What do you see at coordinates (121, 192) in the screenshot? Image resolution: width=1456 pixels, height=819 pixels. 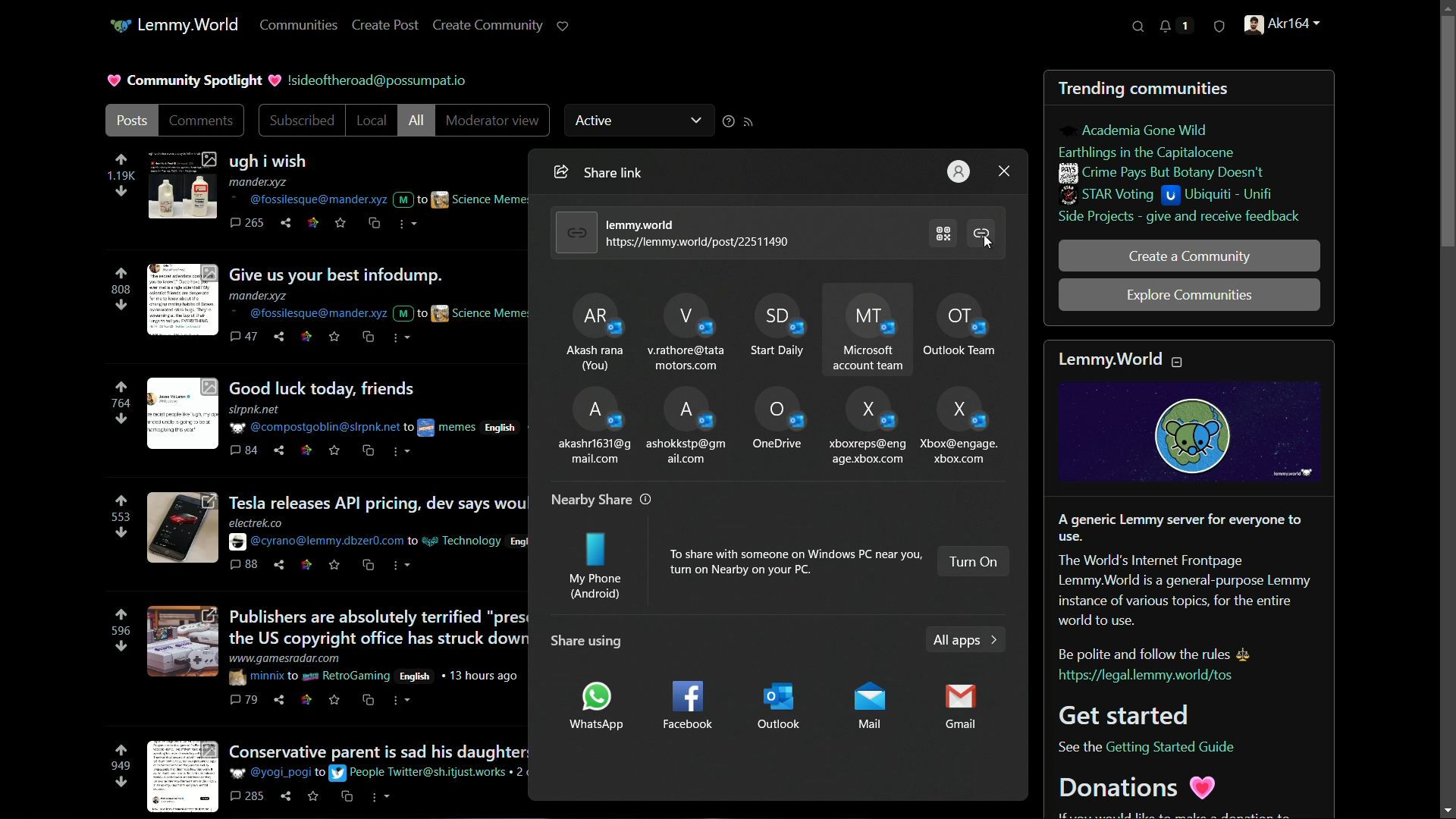 I see `downvote` at bounding box center [121, 192].